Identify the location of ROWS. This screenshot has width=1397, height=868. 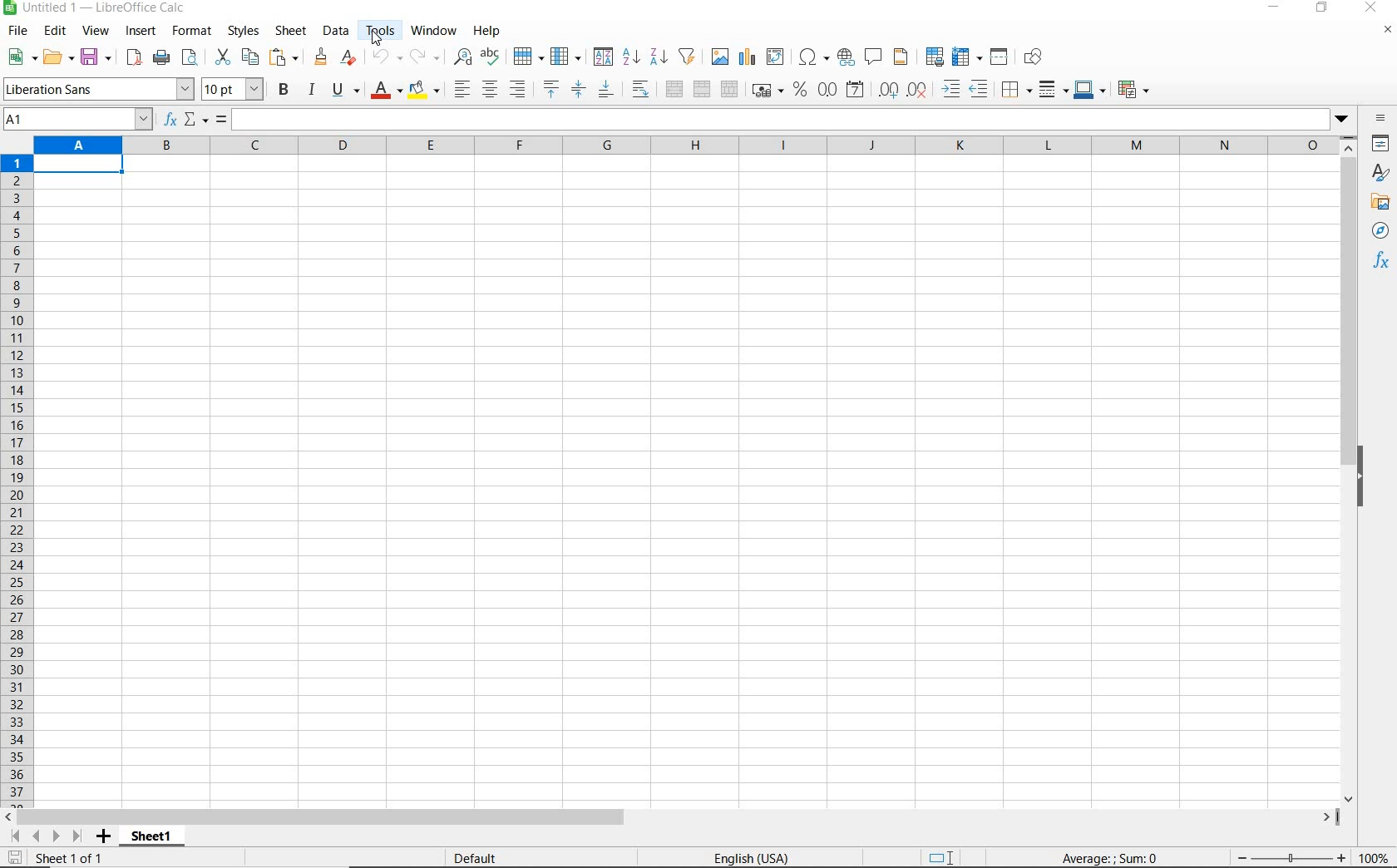
(18, 479).